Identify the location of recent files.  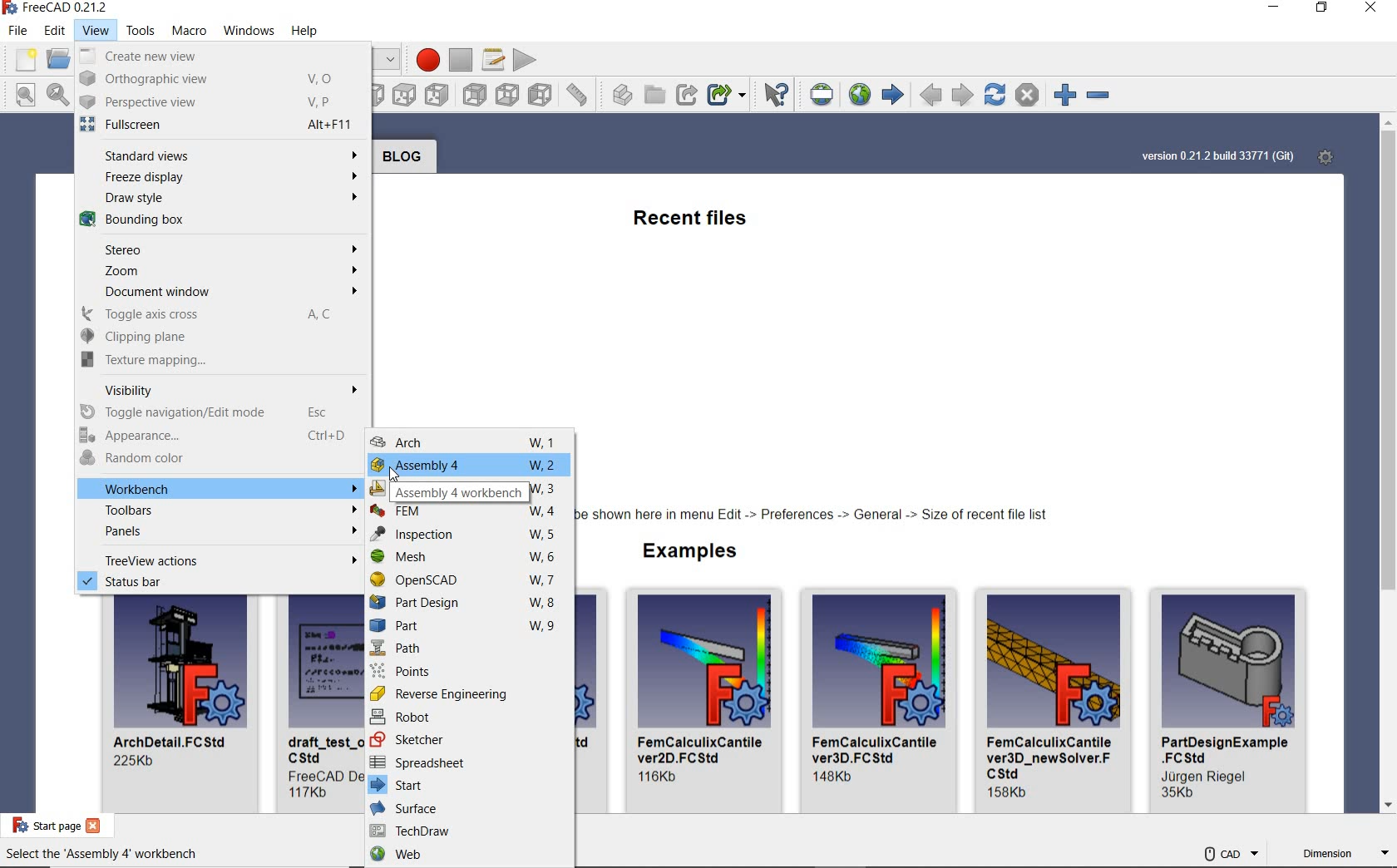
(695, 222).